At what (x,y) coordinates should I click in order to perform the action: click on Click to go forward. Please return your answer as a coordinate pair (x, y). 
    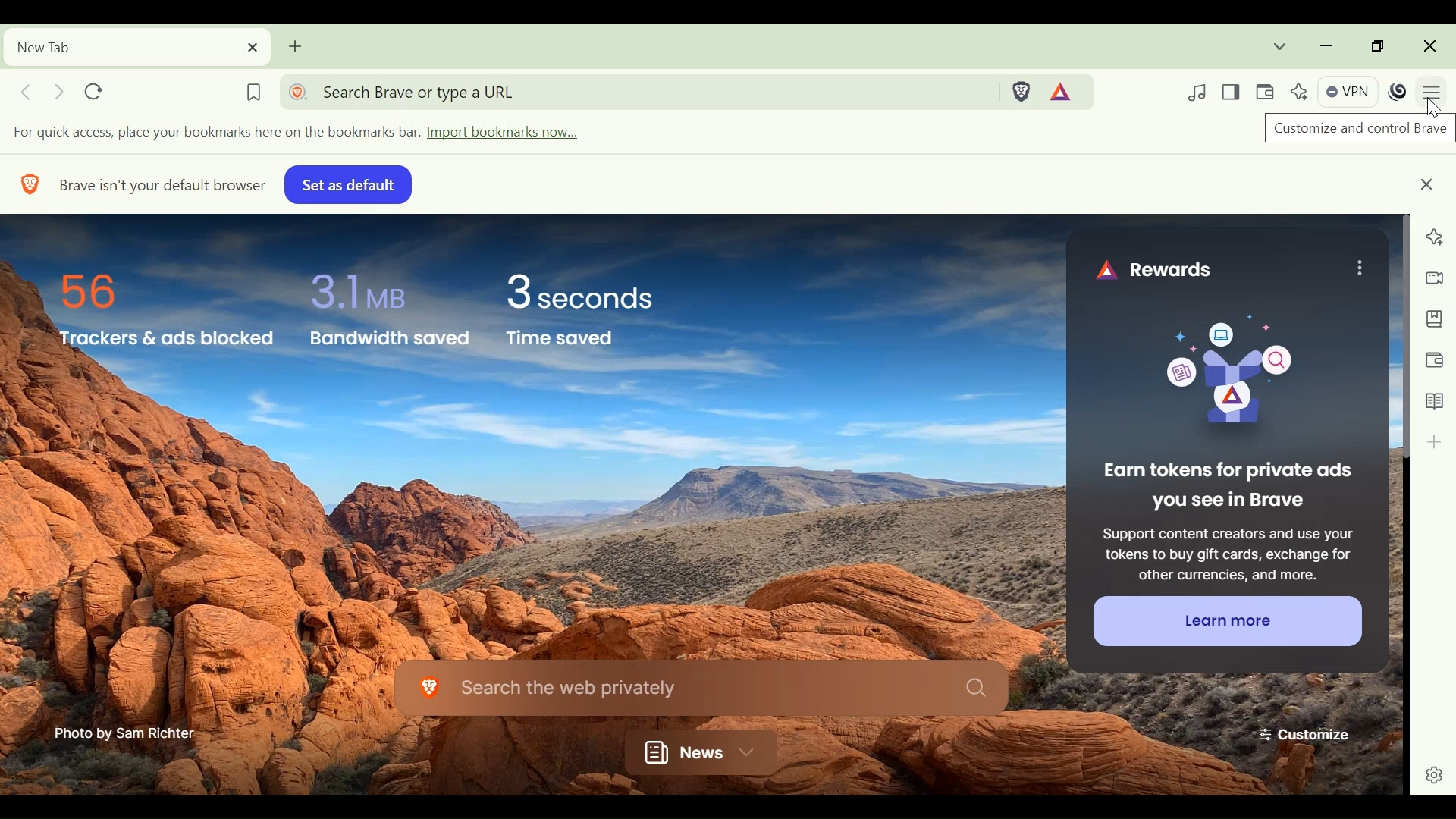
    Looking at the image, I should click on (58, 90).